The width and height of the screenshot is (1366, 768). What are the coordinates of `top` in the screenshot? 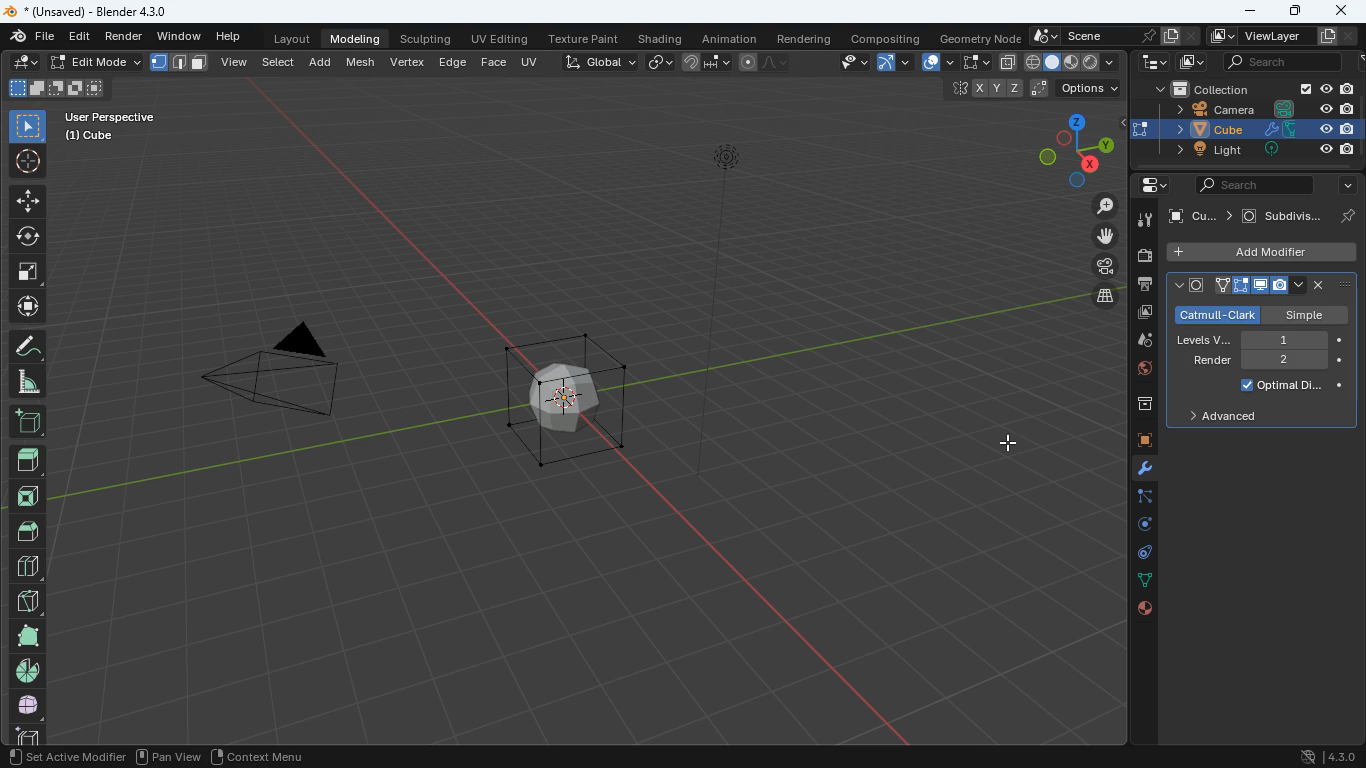 It's located at (28, 464).